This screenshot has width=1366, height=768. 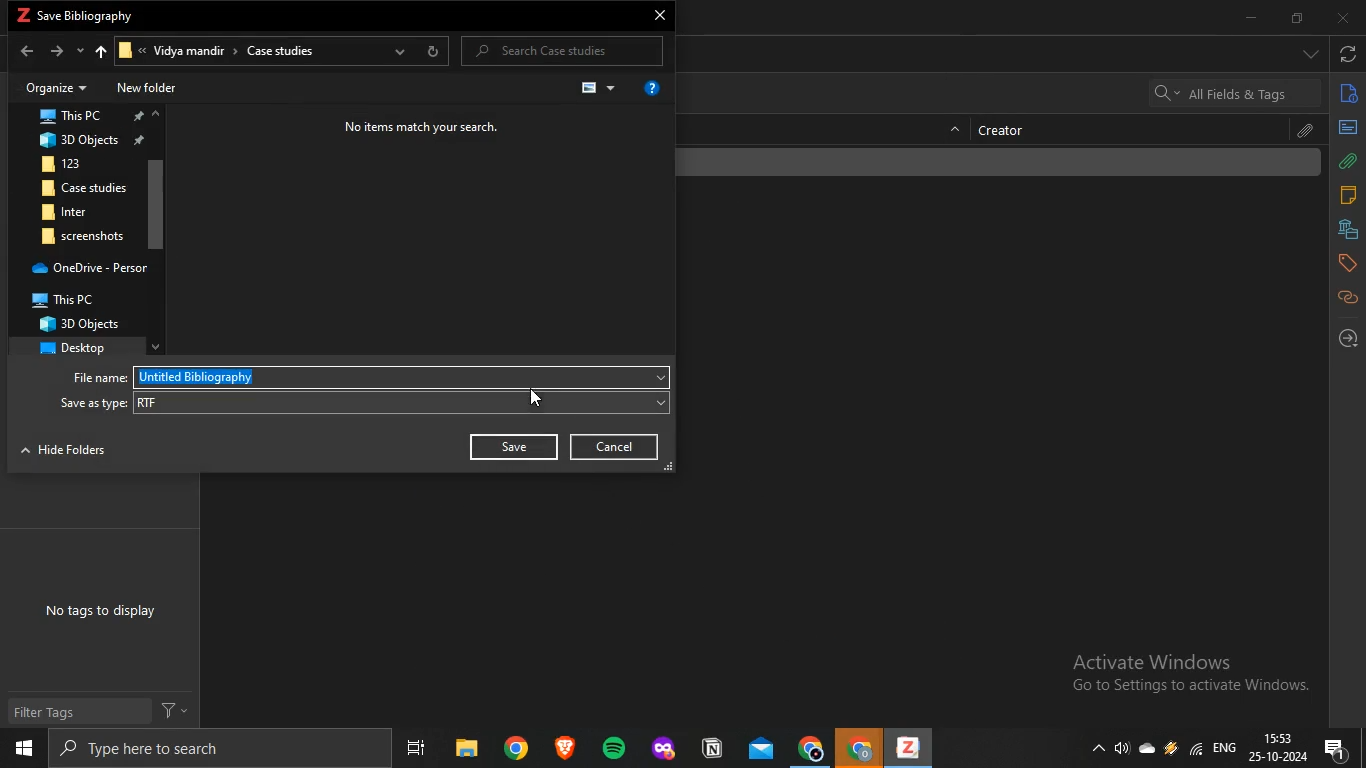 What do you see at coordinates (88, 188) in the screenshot?
I see `Case studies` at bounding box center [88, 188].